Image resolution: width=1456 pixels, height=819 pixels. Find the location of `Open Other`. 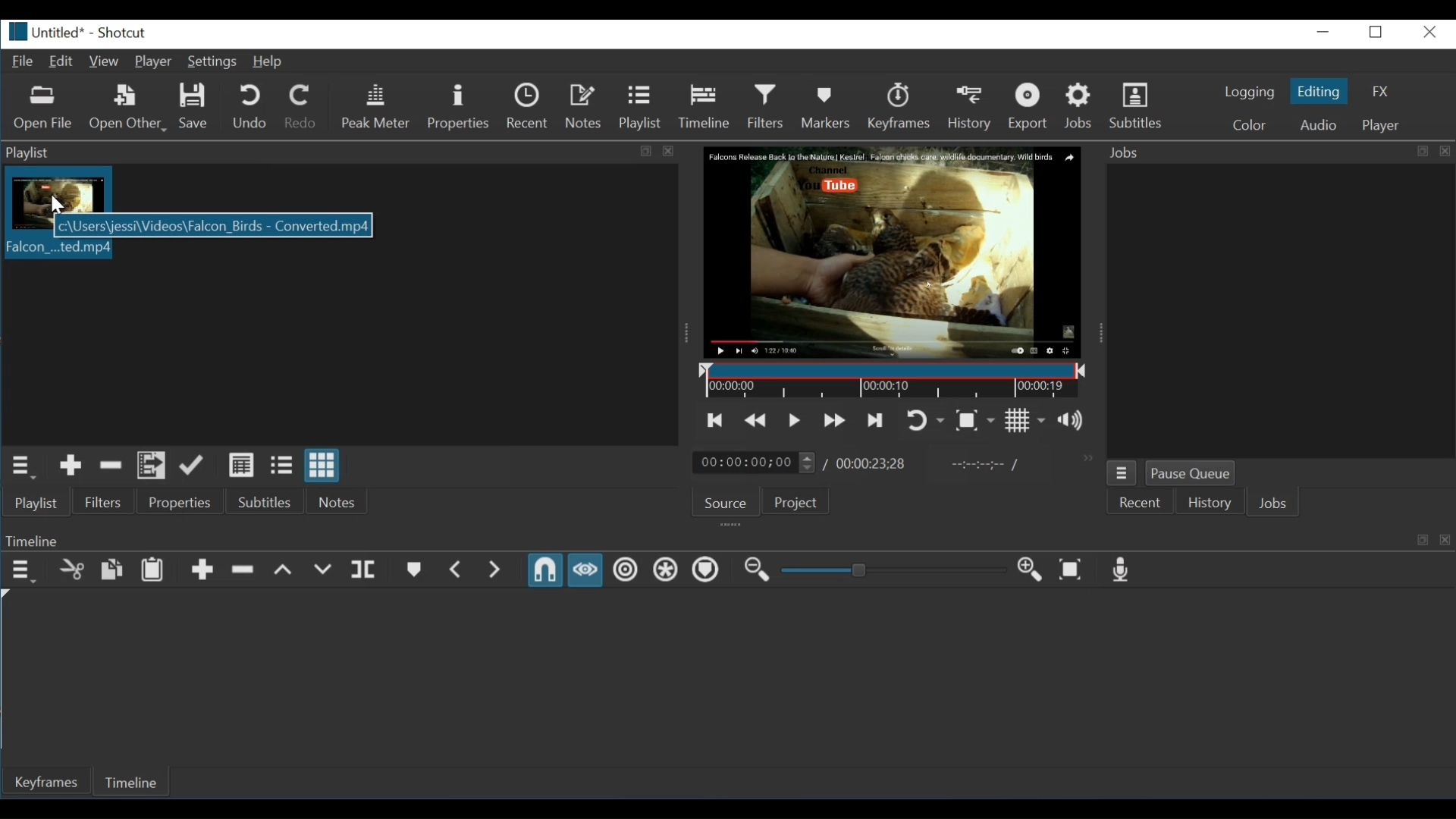

Open Other is located at coordinates (129, 108).